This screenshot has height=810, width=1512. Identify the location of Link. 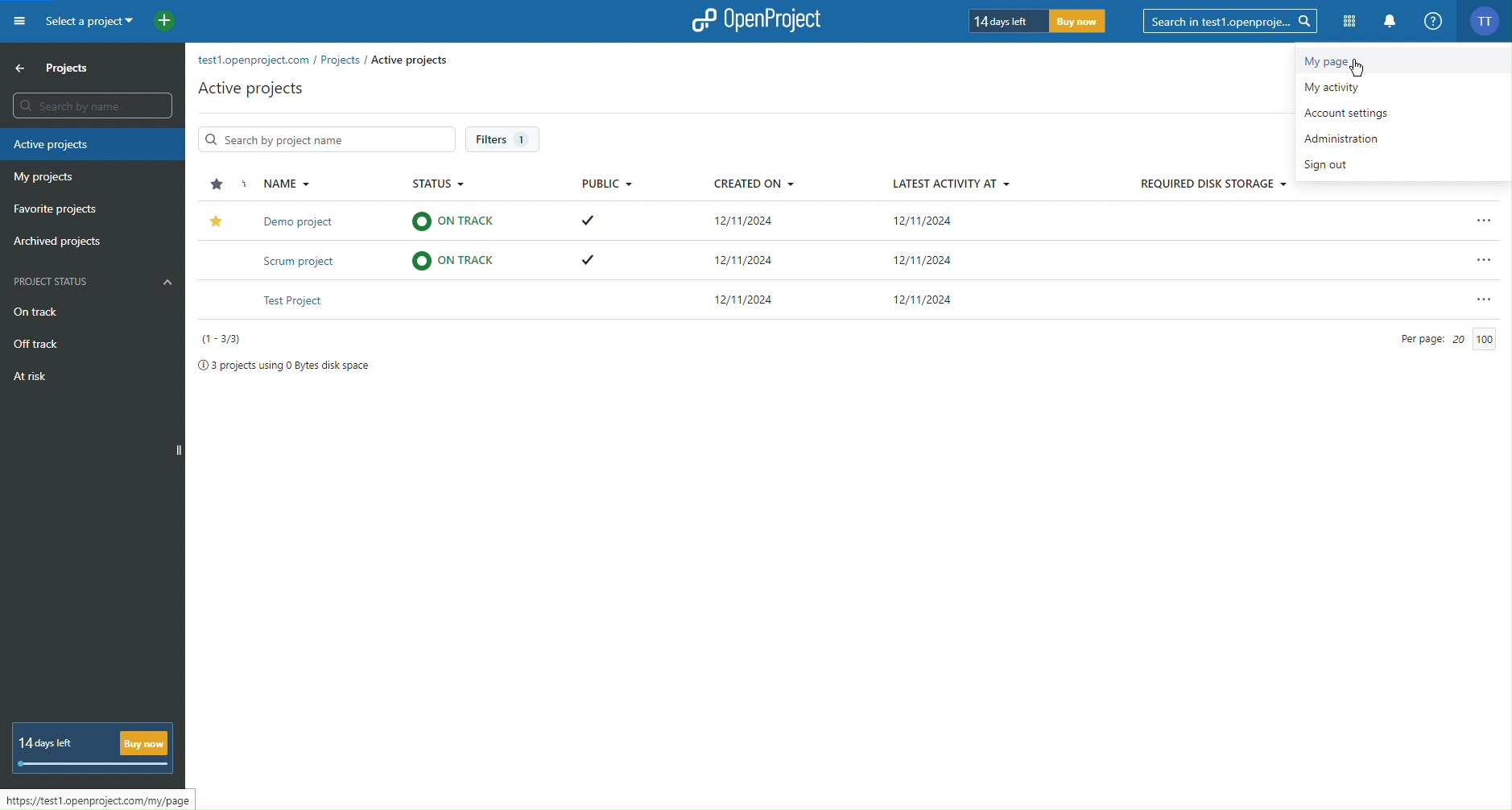
(103, 800).